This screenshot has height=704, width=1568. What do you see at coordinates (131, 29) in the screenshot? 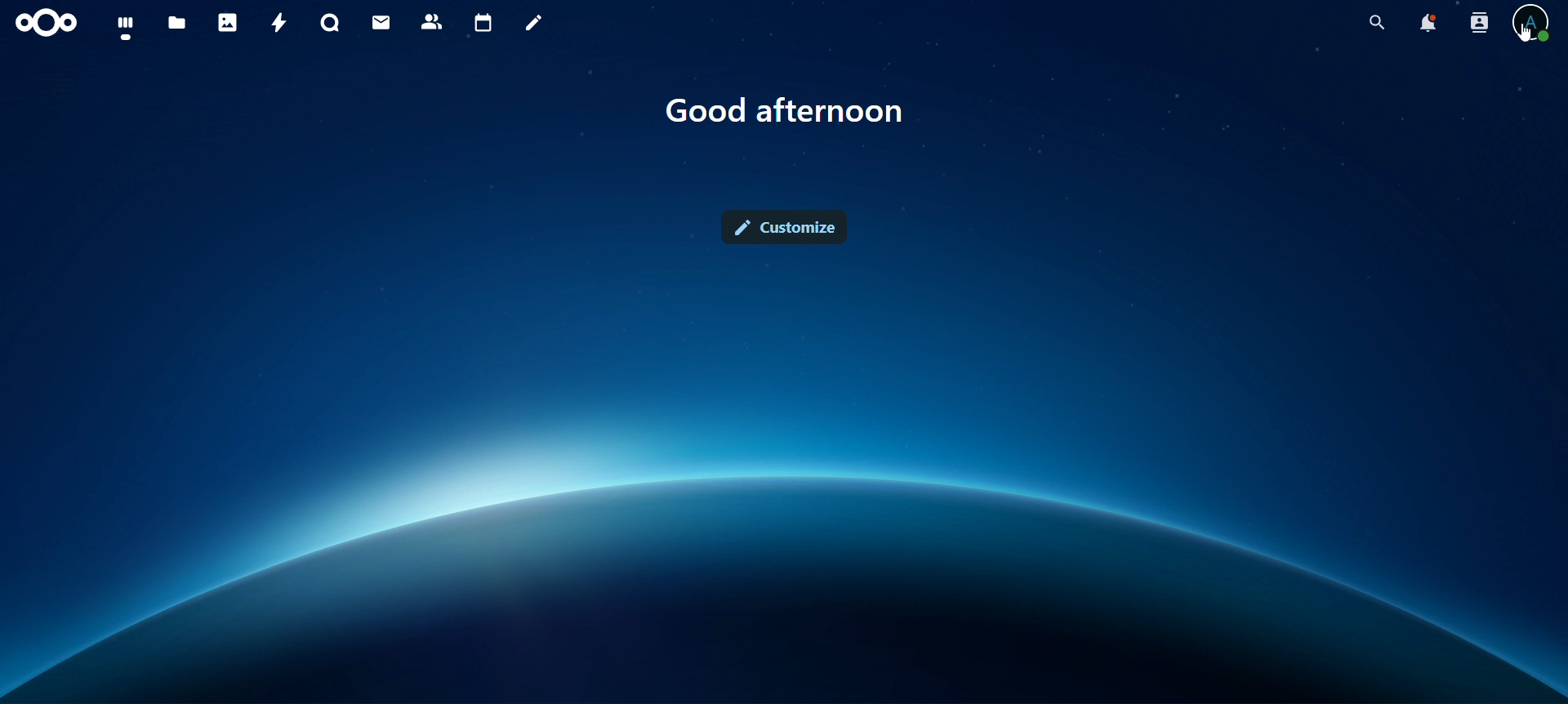
I see `dashboard` at bounding box center [131, 29].